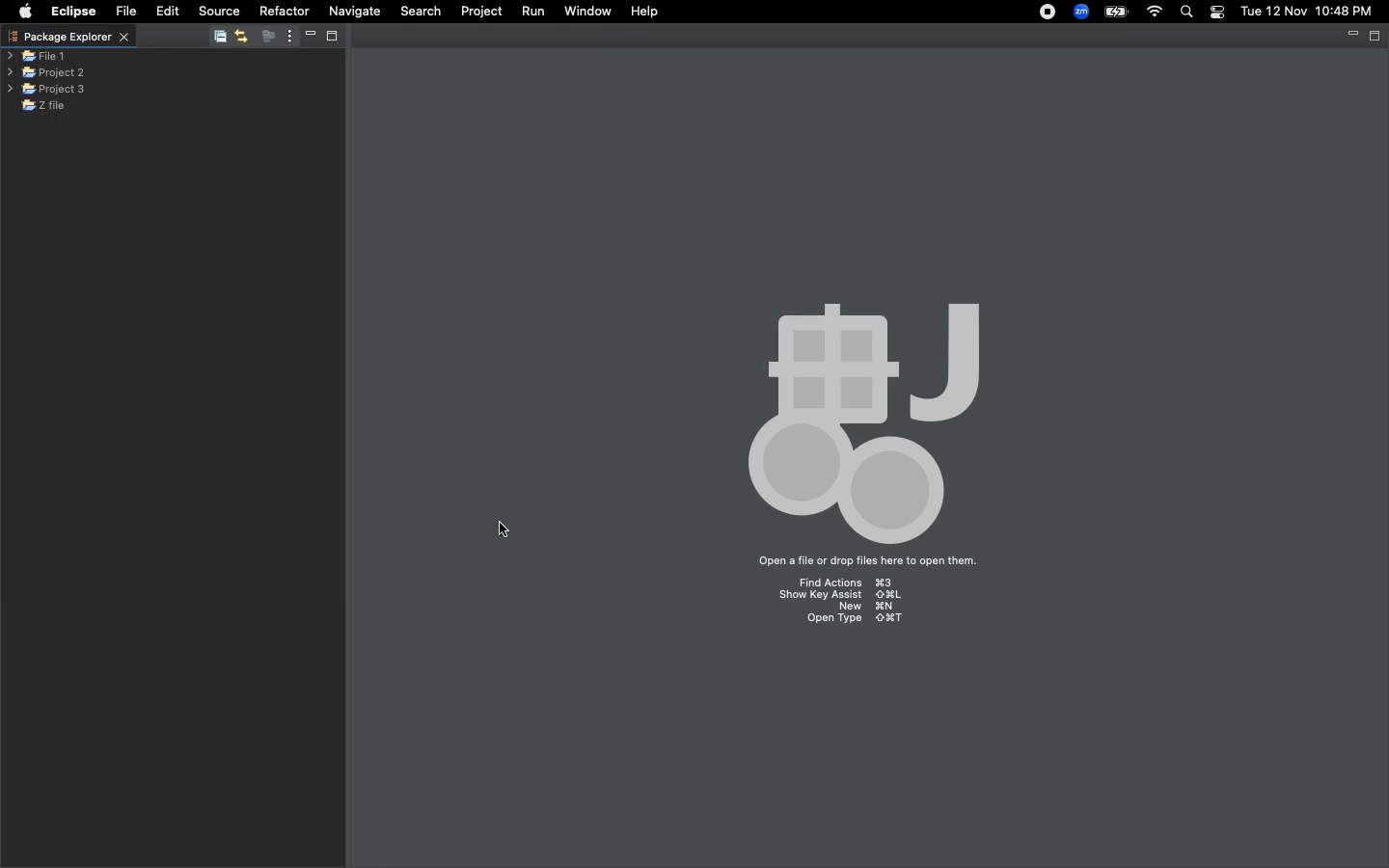 Image resolution: width=1389 pixels, height=868 pixels. What do you see at coordinates (481, 10) in the screenshot?
I see `Project` at bounding box center [481, 10].